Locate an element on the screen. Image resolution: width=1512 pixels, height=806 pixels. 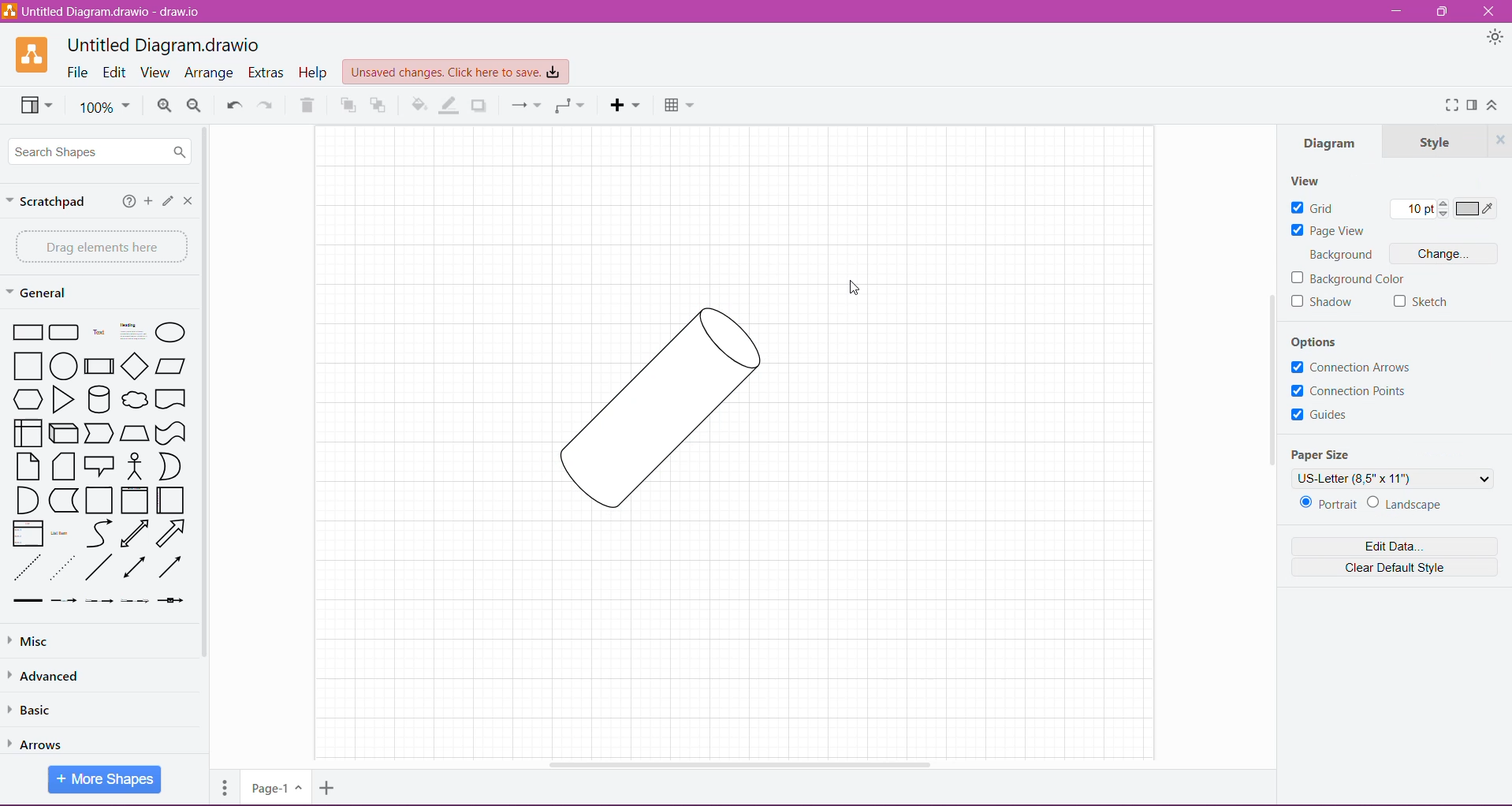
Zoom is located at coordinates (106, 109).